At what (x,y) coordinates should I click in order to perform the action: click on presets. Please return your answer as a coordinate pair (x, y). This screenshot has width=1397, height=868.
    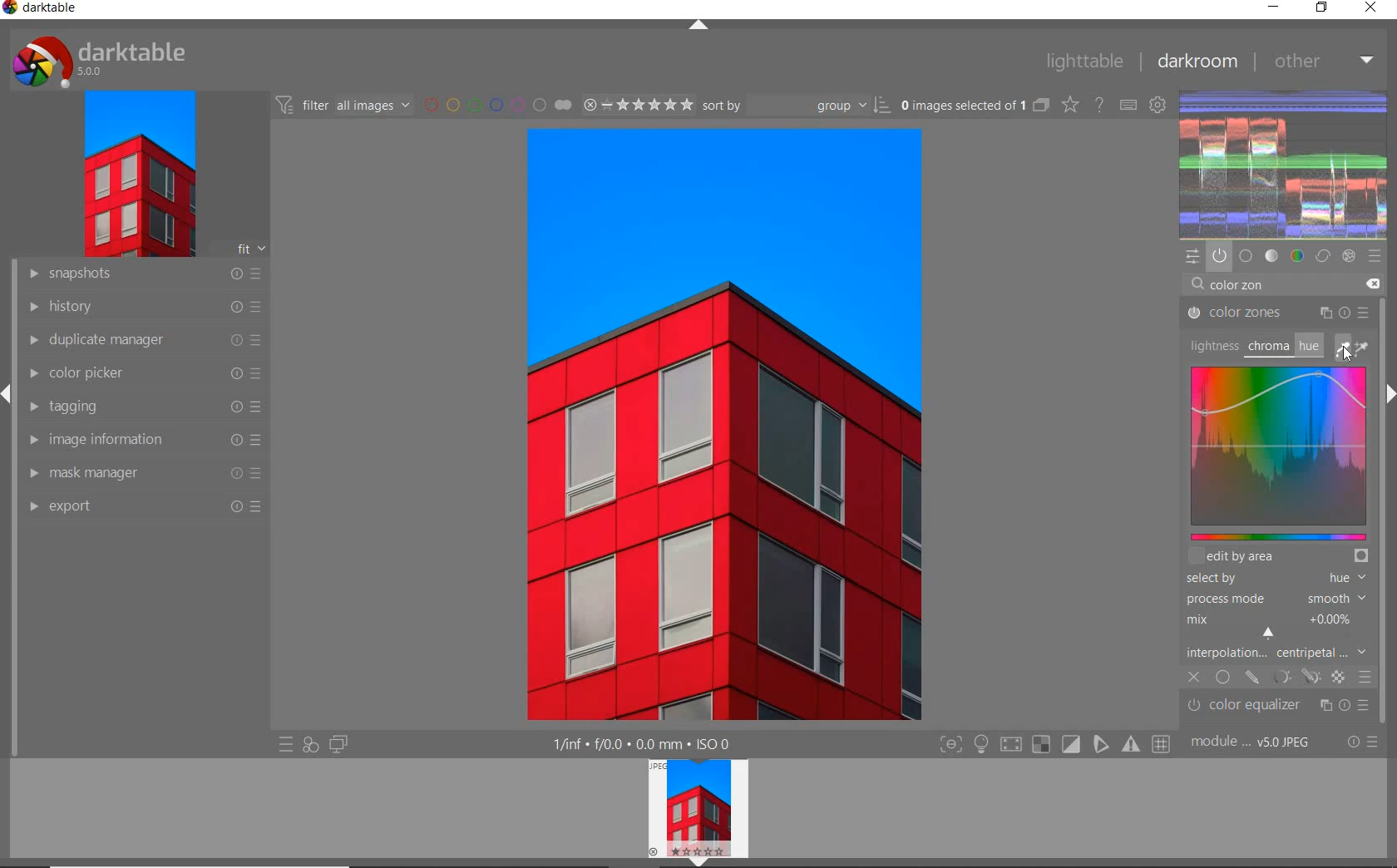
    Looking at the image, I should click on (1375, 254).